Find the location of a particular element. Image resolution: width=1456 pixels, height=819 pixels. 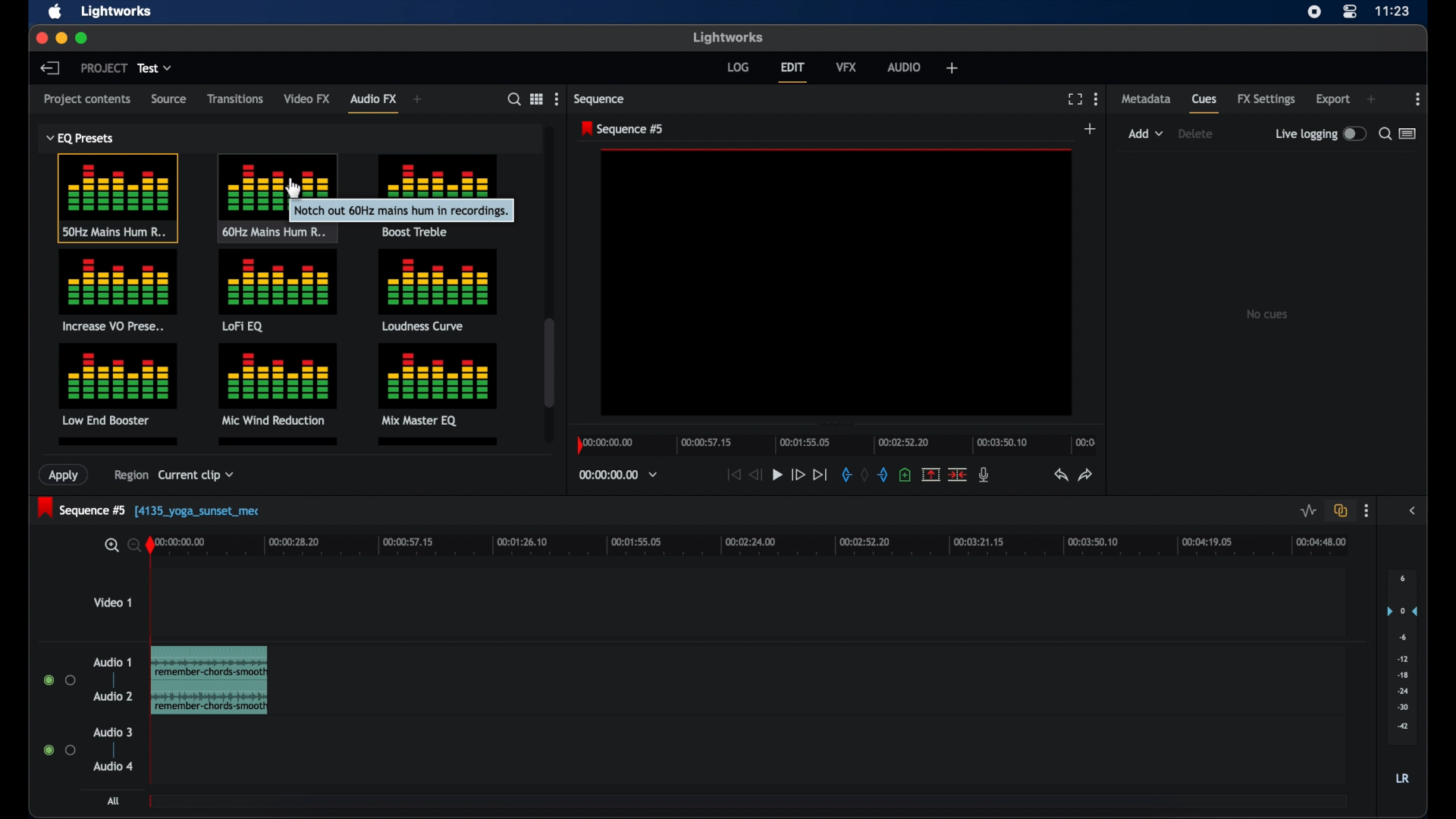

screen recorder icon is located at coordinates (1314, 12).